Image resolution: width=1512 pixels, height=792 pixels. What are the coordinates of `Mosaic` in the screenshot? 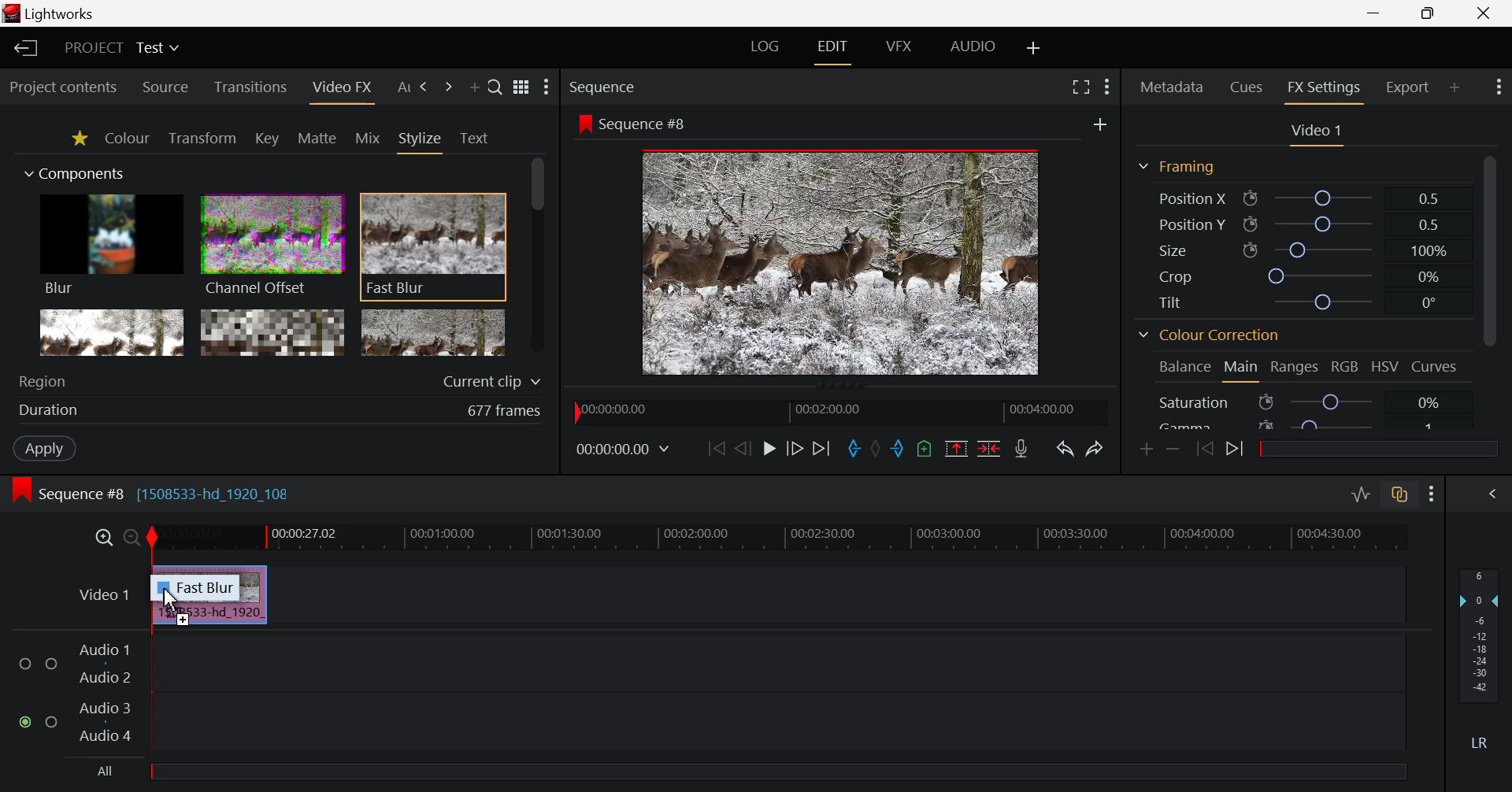 It's located at (272, 333).